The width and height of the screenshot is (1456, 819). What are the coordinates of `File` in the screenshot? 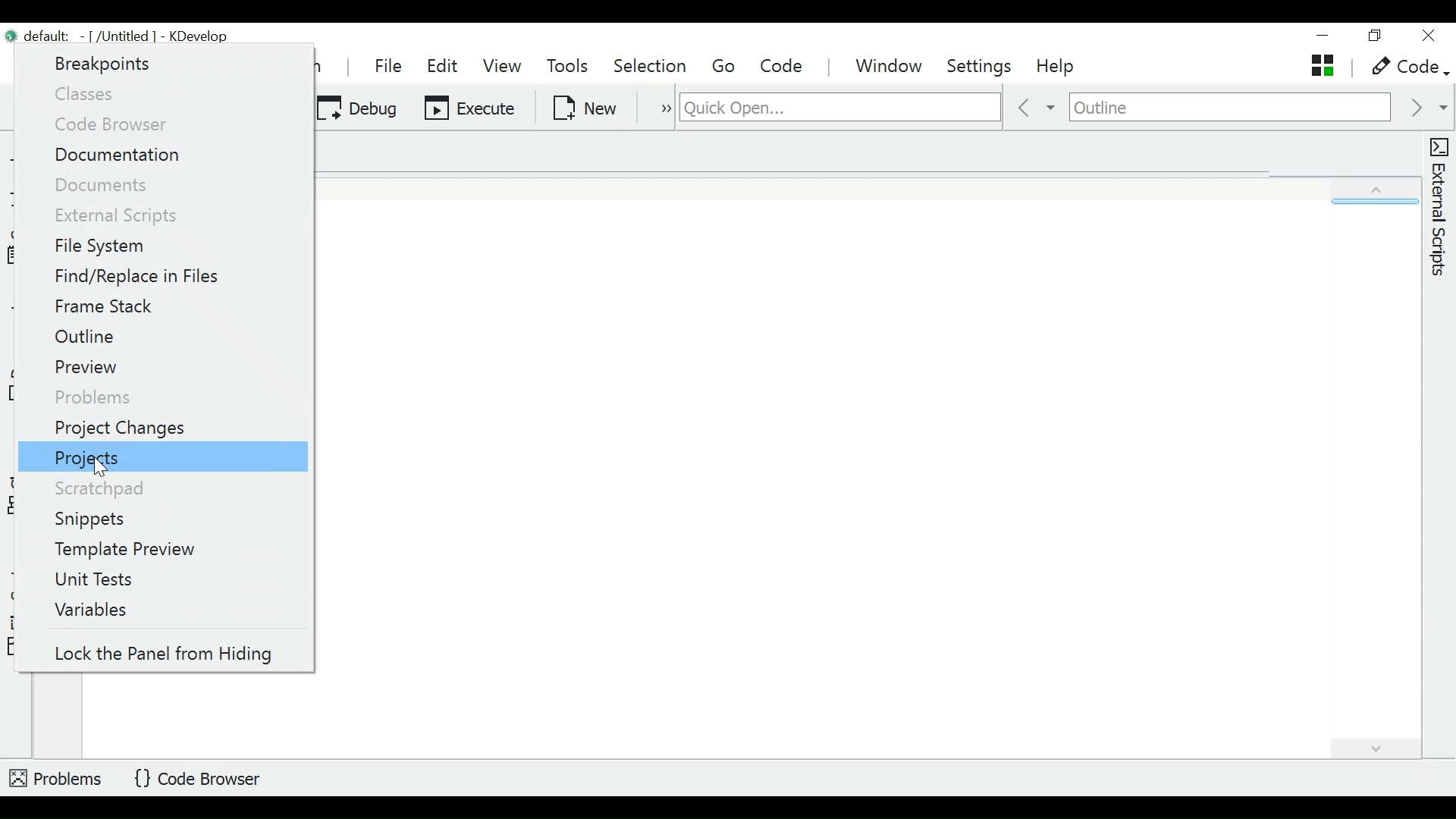 It's located at (388, 64).